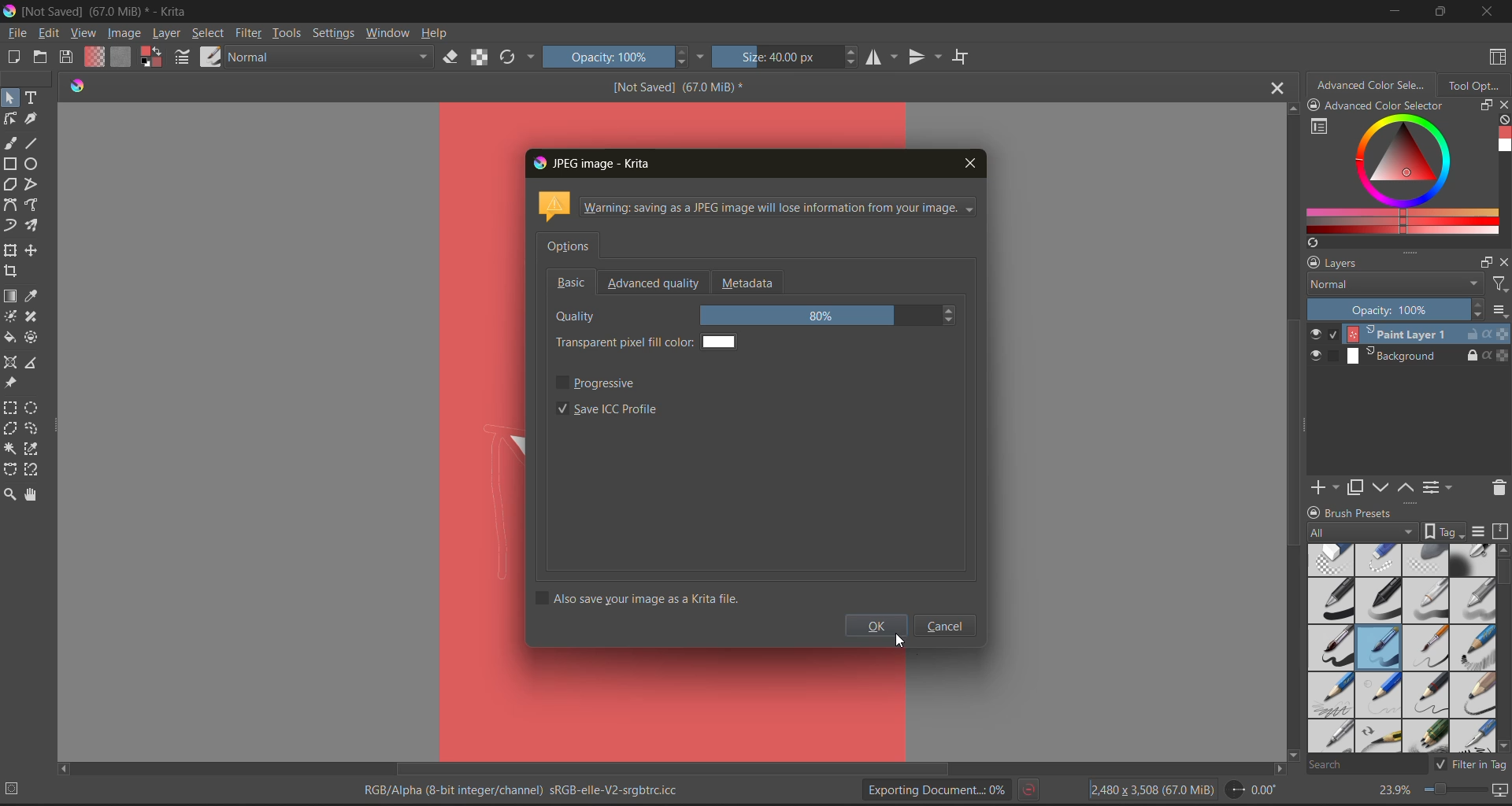 This screenshot has width=1512, height=806. What do you see at coordinates (602, 383) in the screenshot?
I see `progressive` at bounding box center [602, 383].